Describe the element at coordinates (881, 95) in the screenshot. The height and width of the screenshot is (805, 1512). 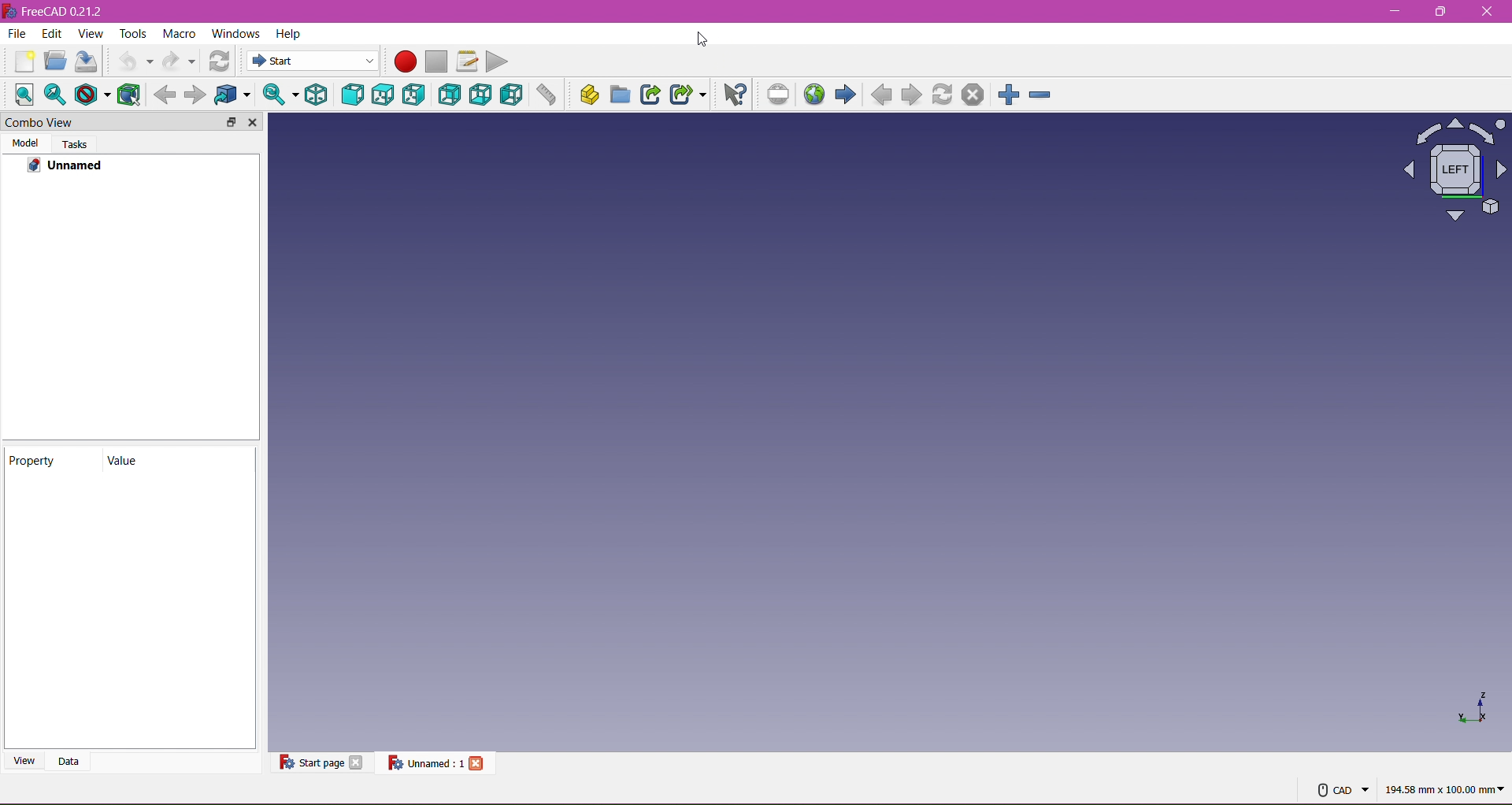
I see `Backward Navigation` at that location.